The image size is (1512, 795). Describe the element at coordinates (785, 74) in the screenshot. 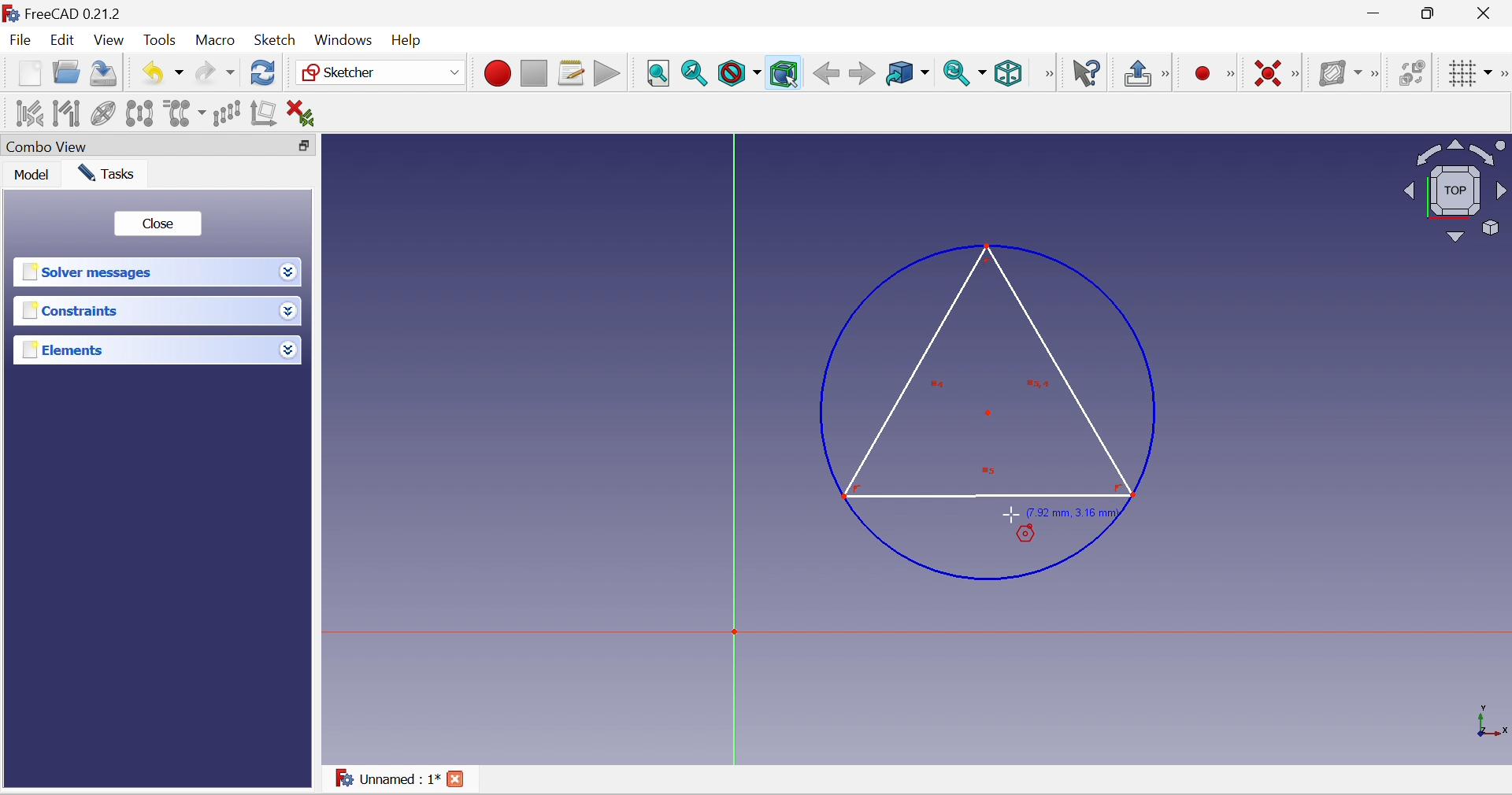

I see `Bounding box` at that location.